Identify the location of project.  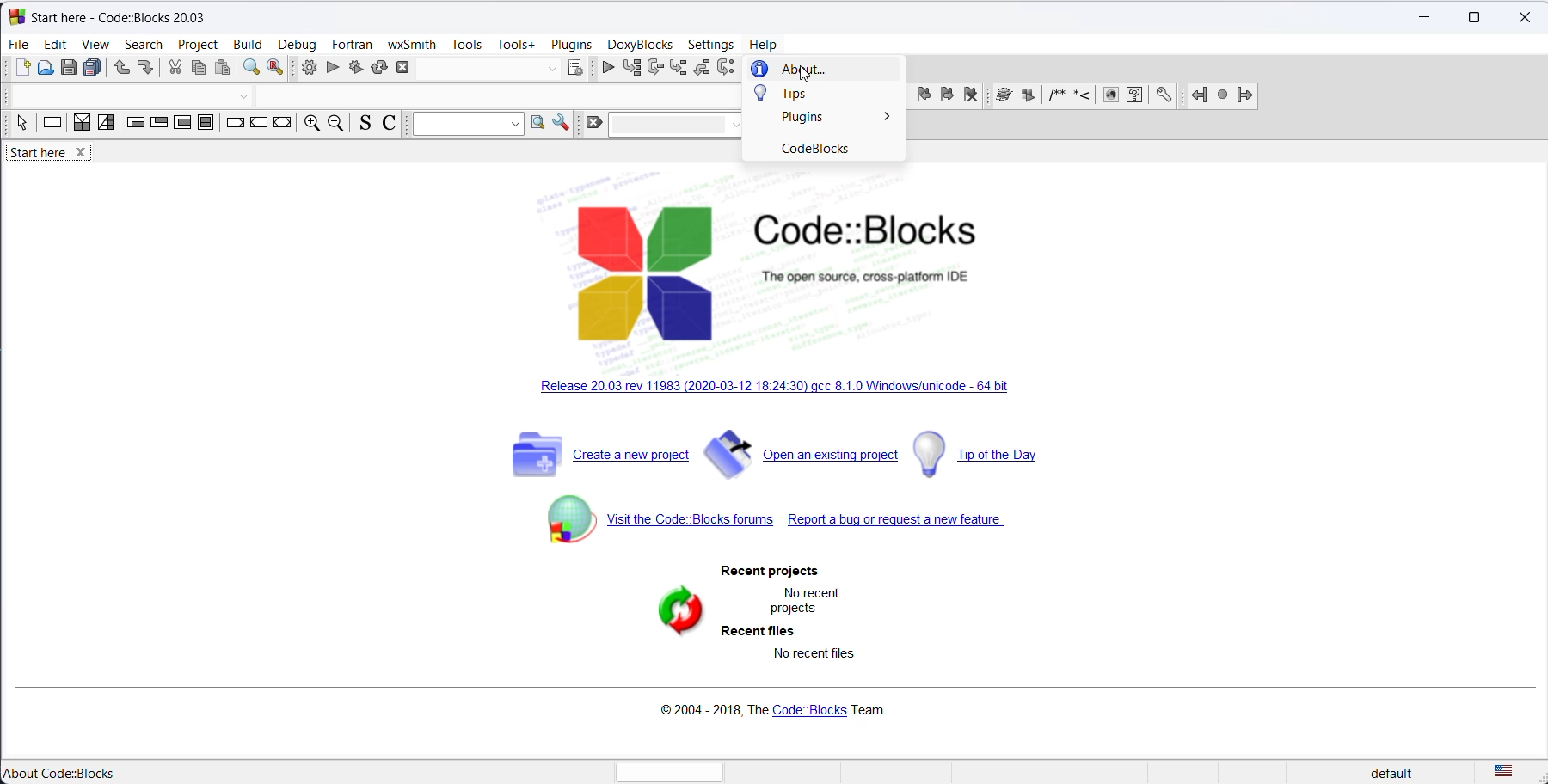
(198, 44).